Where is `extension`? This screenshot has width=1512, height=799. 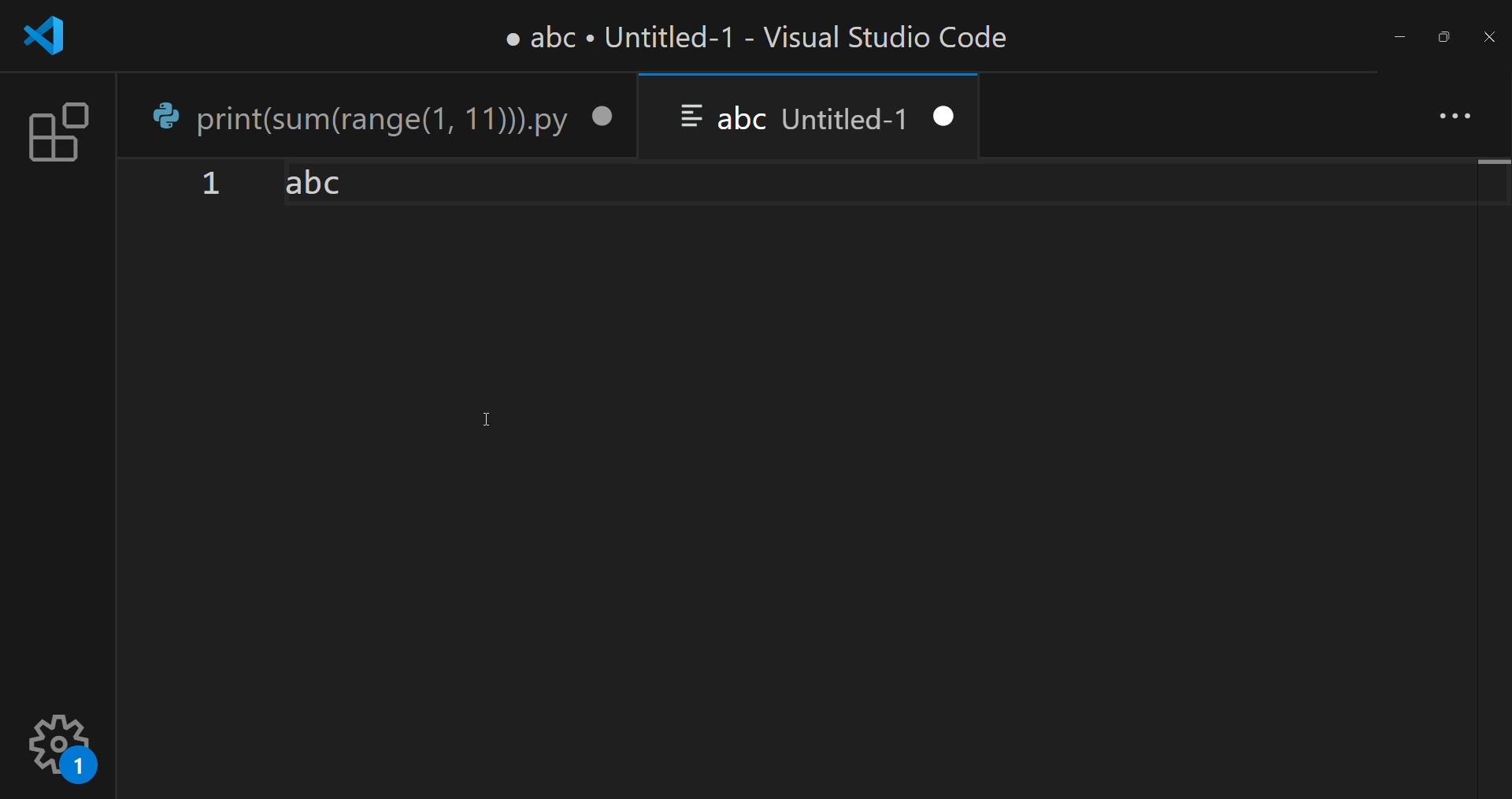 extension is located at coordinates (59, 130).